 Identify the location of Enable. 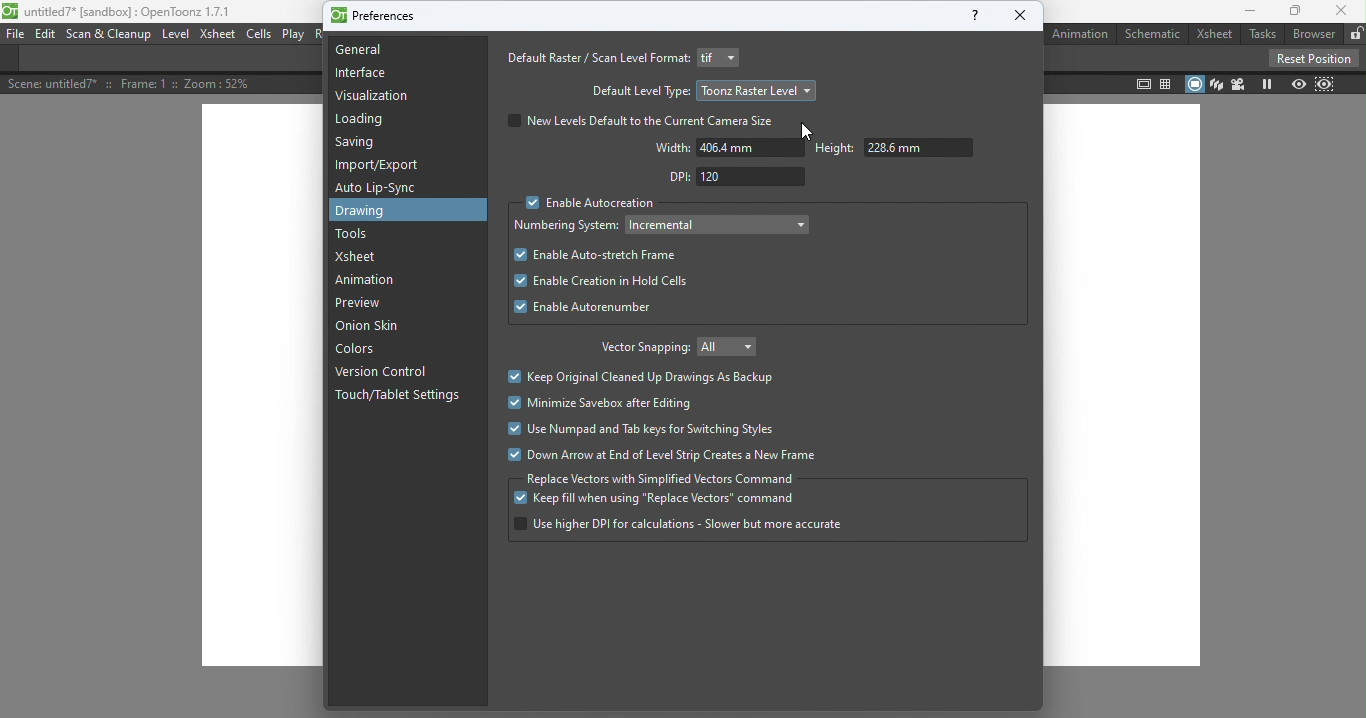
(586, 307).